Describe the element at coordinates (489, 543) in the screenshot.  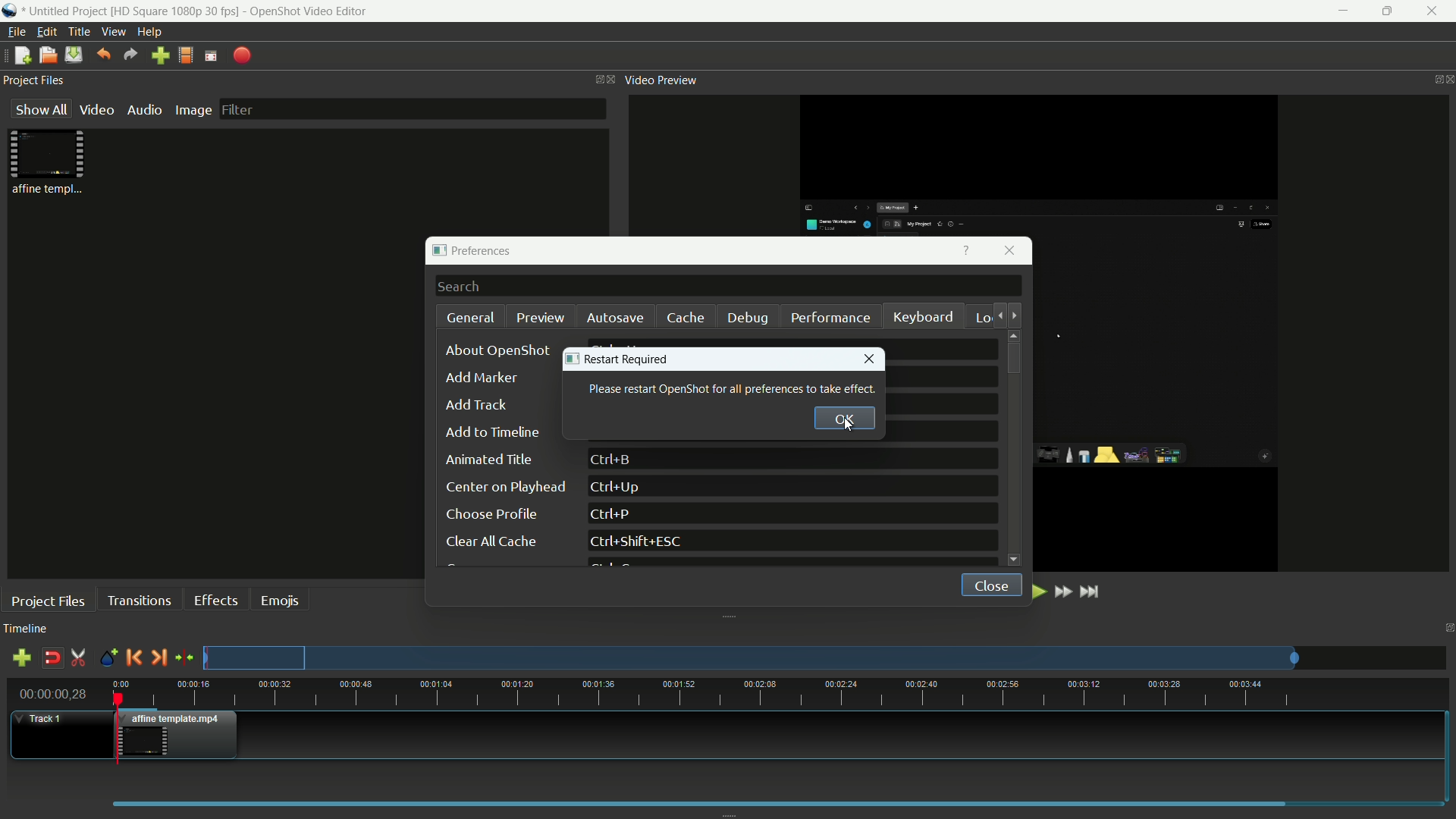
I see `clear all cache` at that location.